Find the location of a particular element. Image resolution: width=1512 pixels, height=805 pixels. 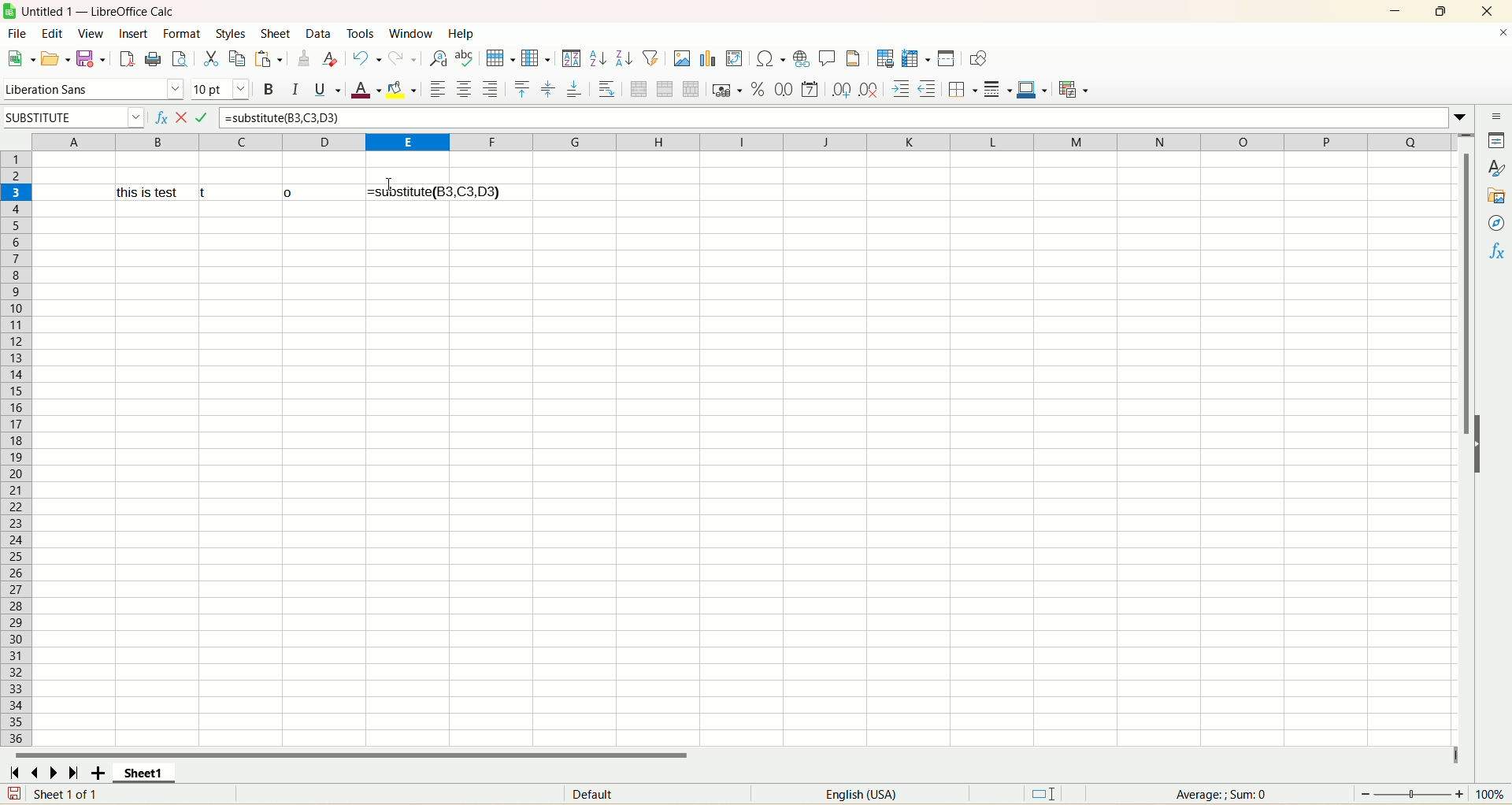

merge cells is located at coordinates (665, 91).